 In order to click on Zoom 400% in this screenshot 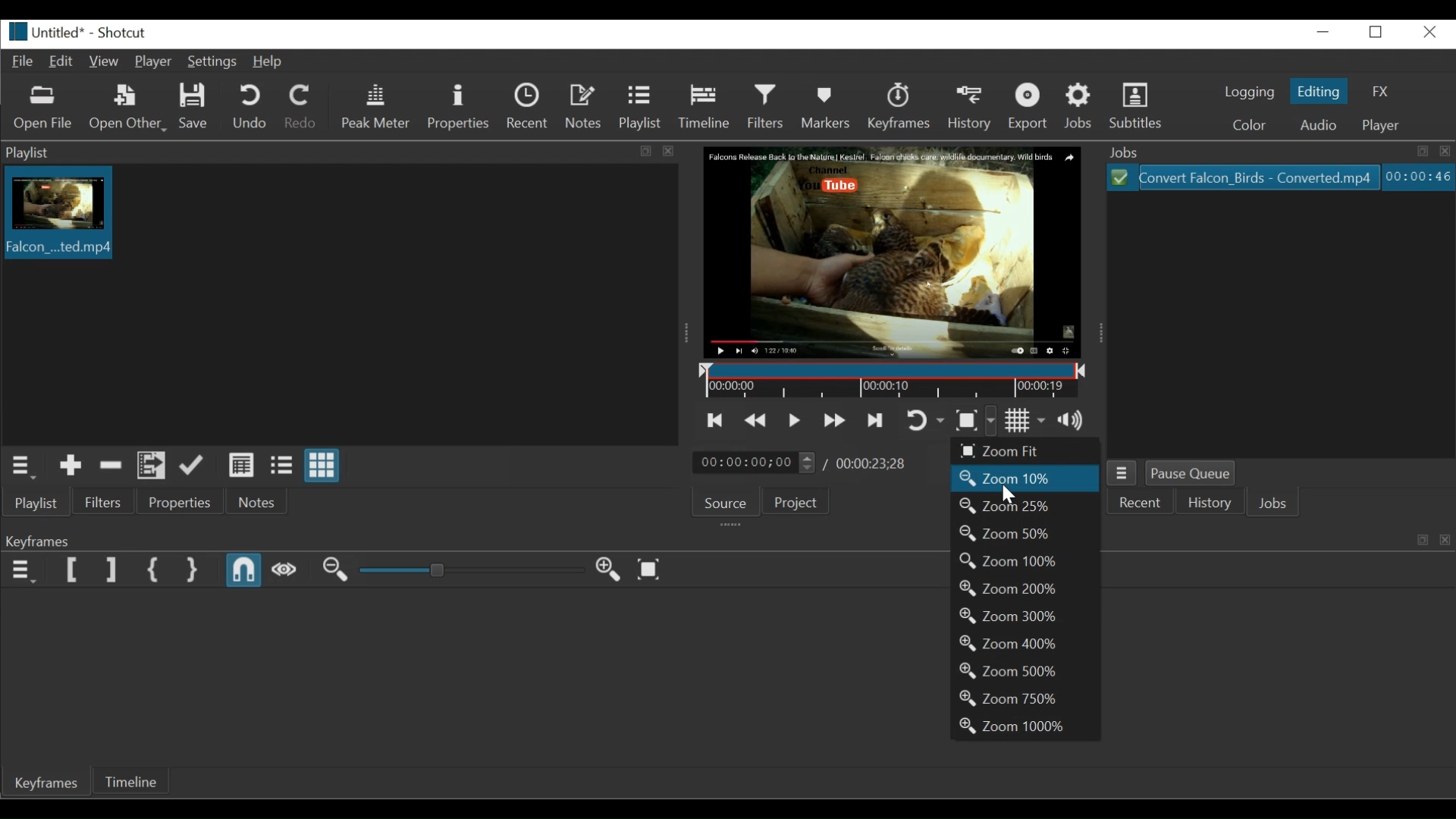, I will do `click(1025, 644)`.